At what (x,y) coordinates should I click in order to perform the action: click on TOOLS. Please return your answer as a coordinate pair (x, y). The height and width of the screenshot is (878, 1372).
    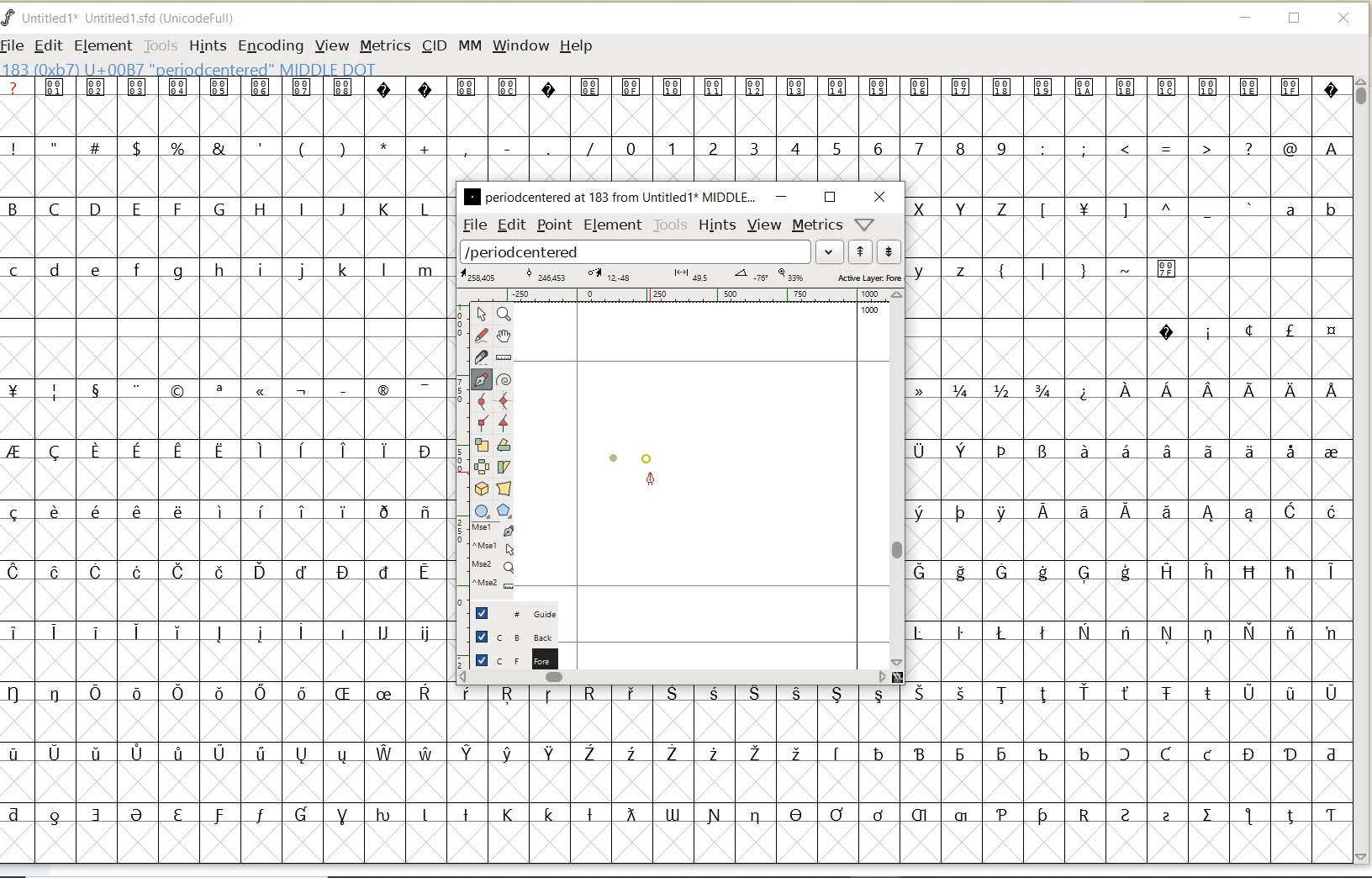
    Looking at the image, I should click on (161, 45).